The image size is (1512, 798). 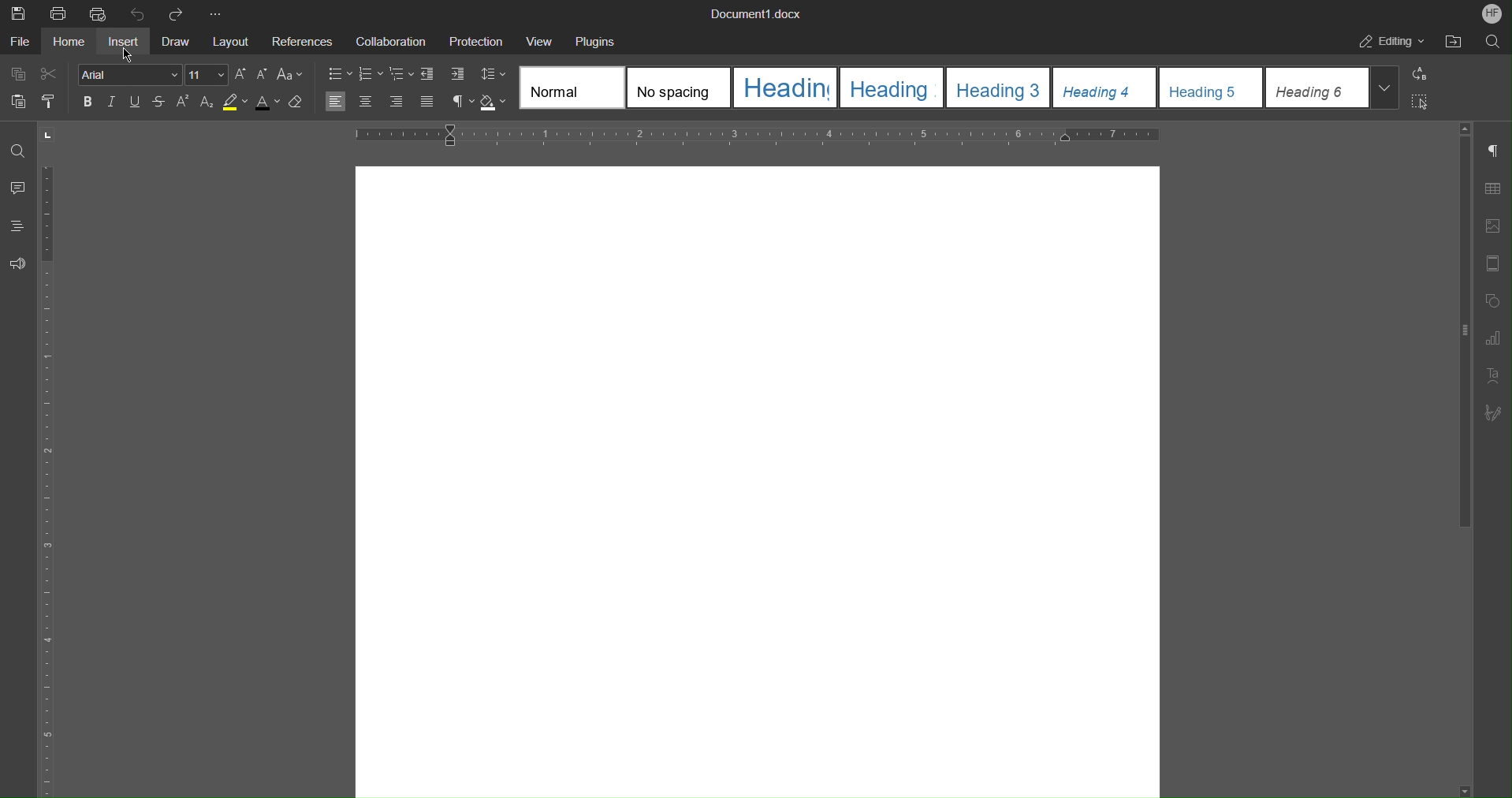 What do you see at coordinates (896, 88) in the screenshot?
I see `heading 2` at bounding box center [896, 88].